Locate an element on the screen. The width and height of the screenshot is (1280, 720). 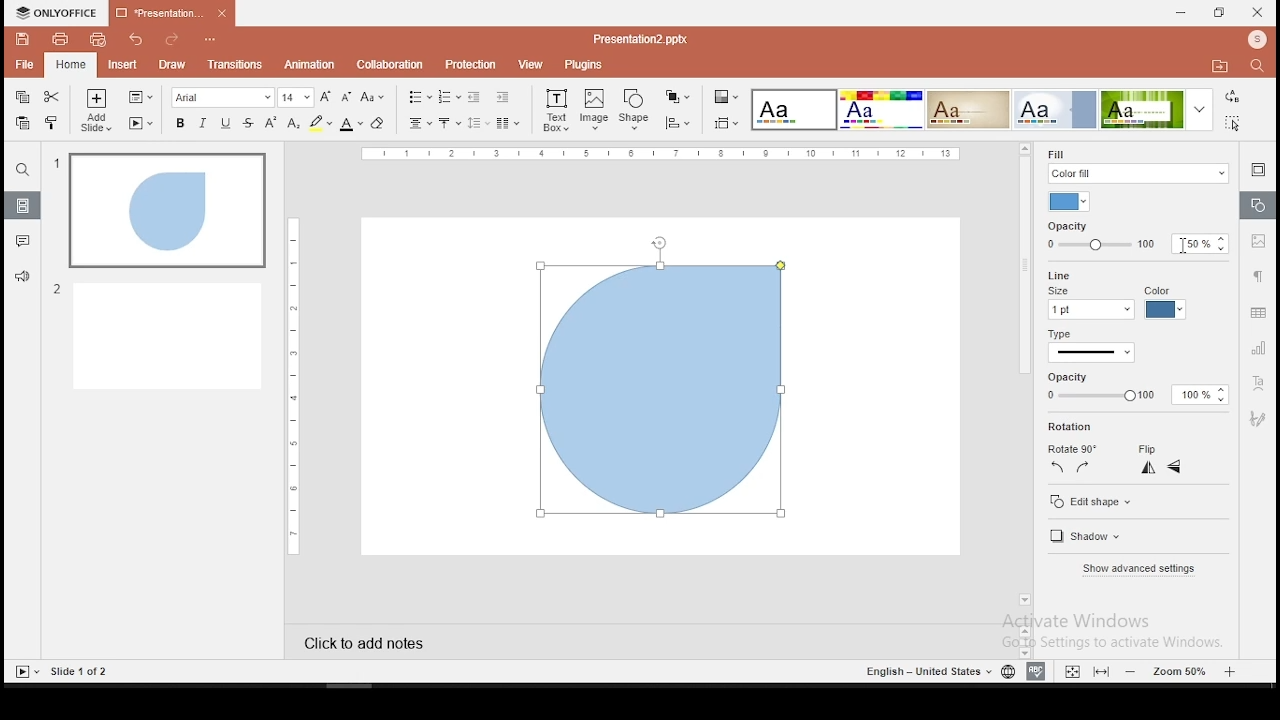
presentation is located at coordinates (638, 39).